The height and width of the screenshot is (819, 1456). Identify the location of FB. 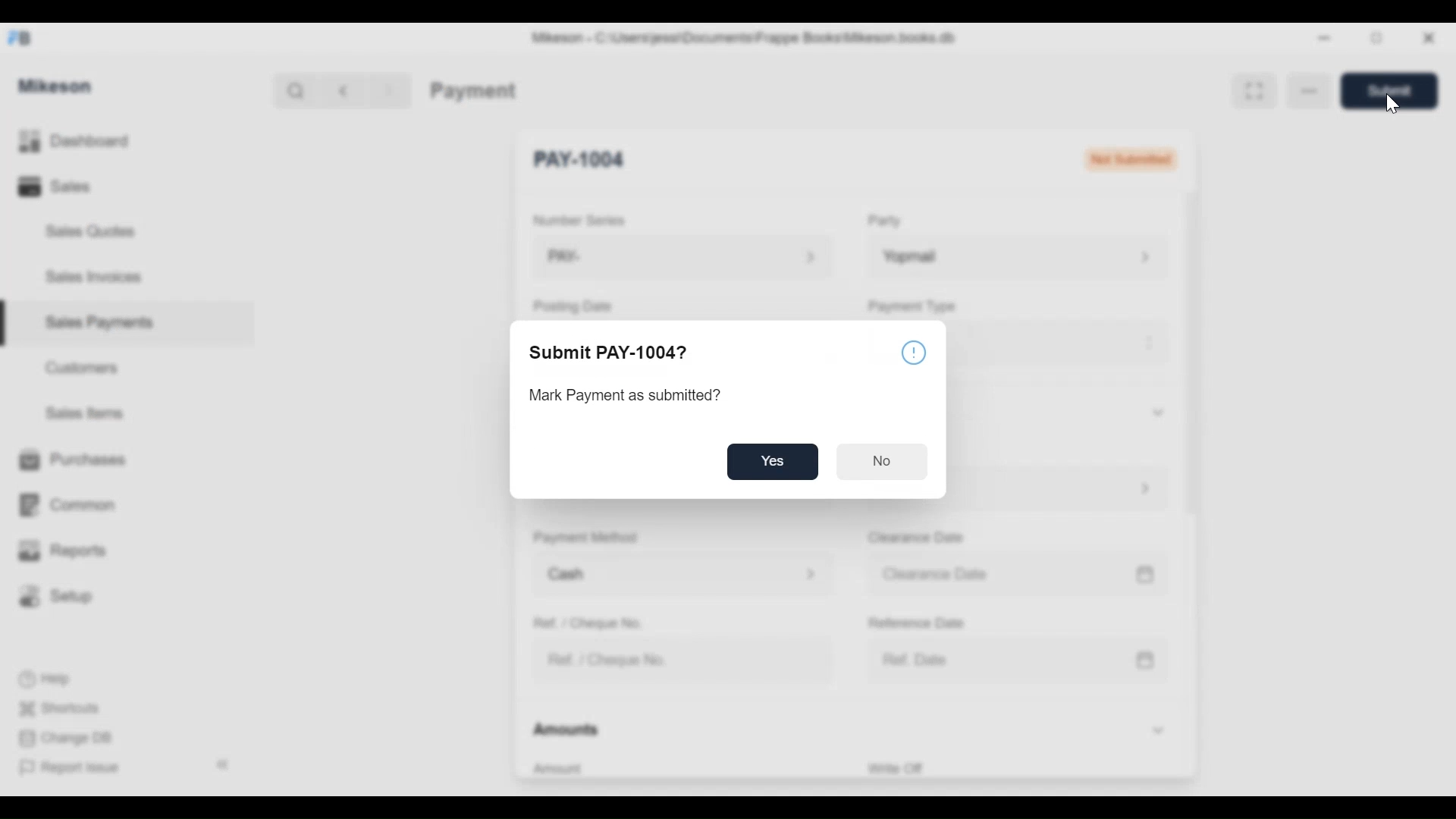
(24, 36).